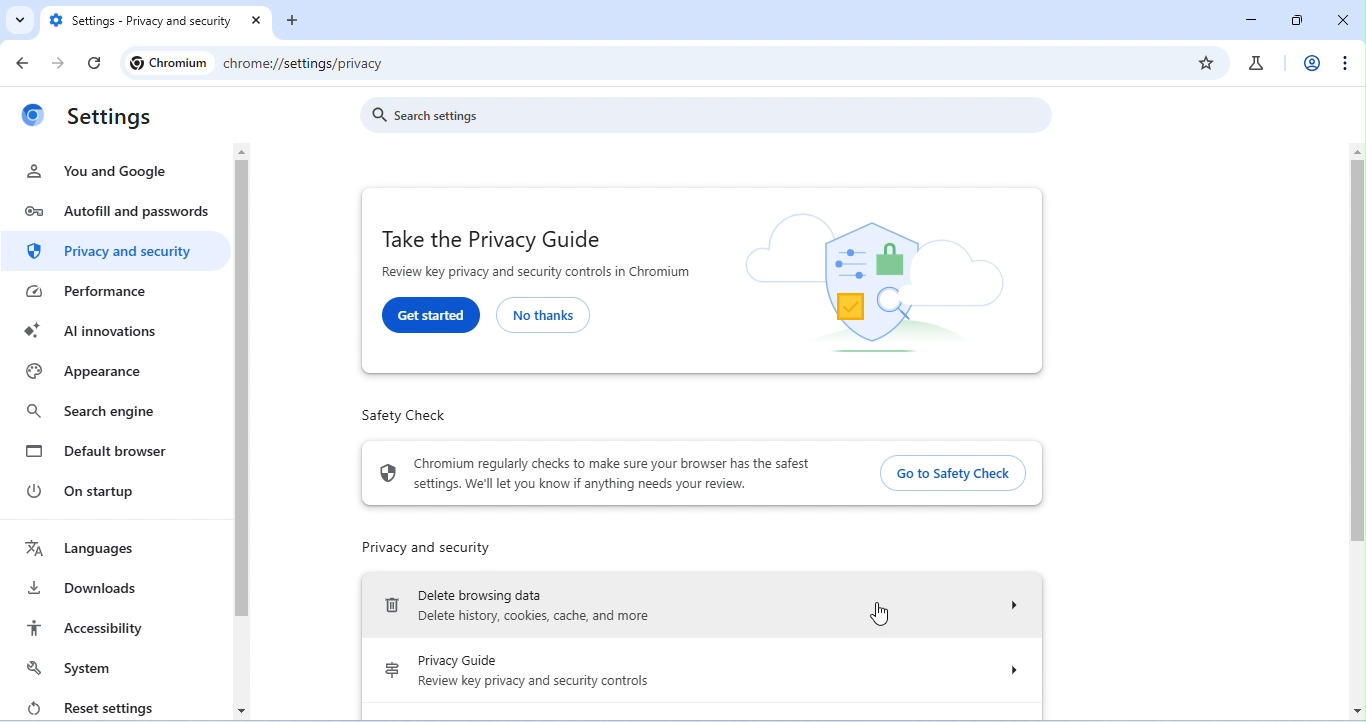 The width and height of the screenshot is (1366, 722). Describe the element at coordinates (87, 628) in the screenshot. I see `accessibility` at that location.